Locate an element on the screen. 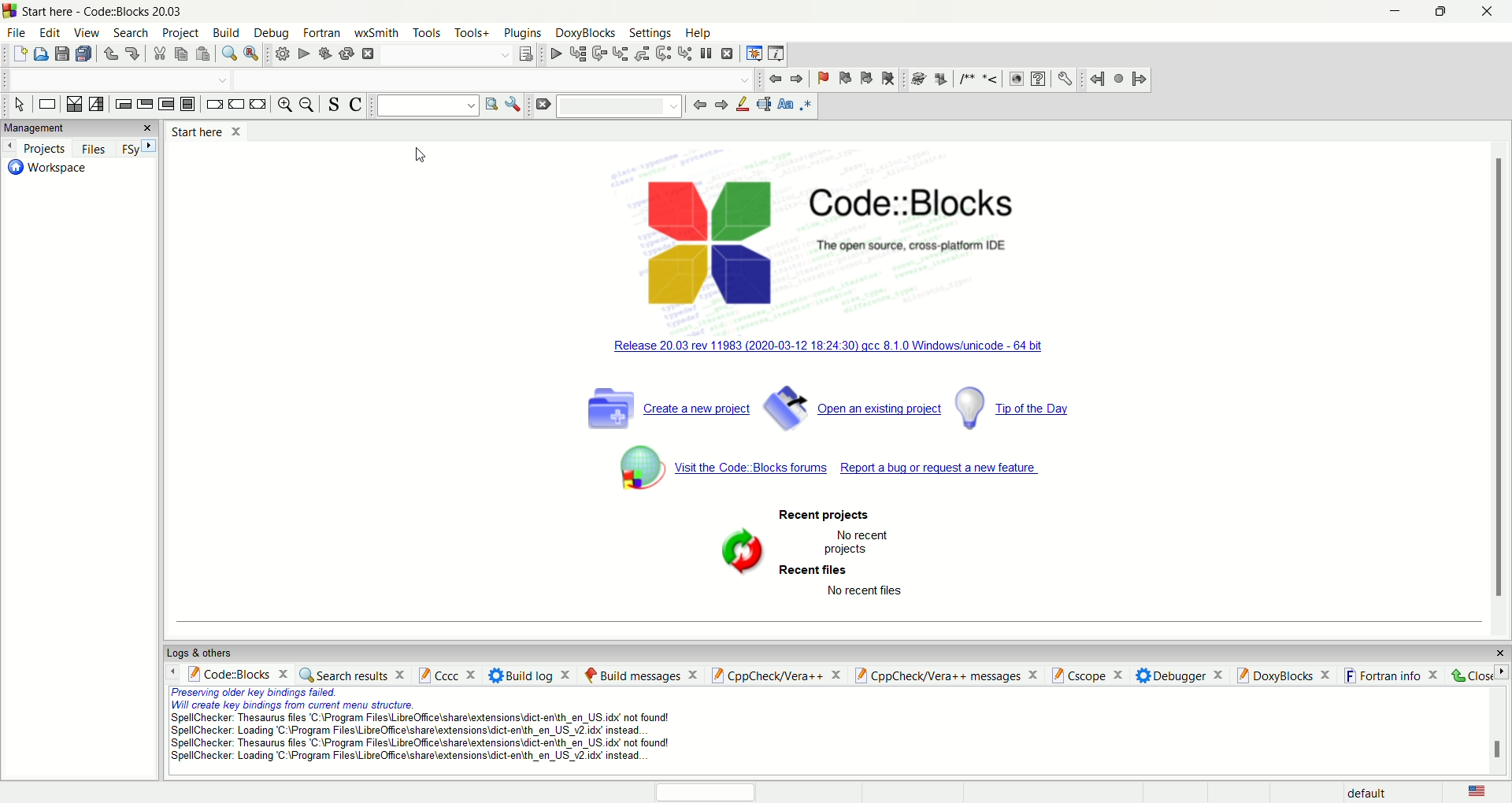 Image resolution: width=1512 pixels, height=803 pixels. cscope is located at coordinates (1088, 676).